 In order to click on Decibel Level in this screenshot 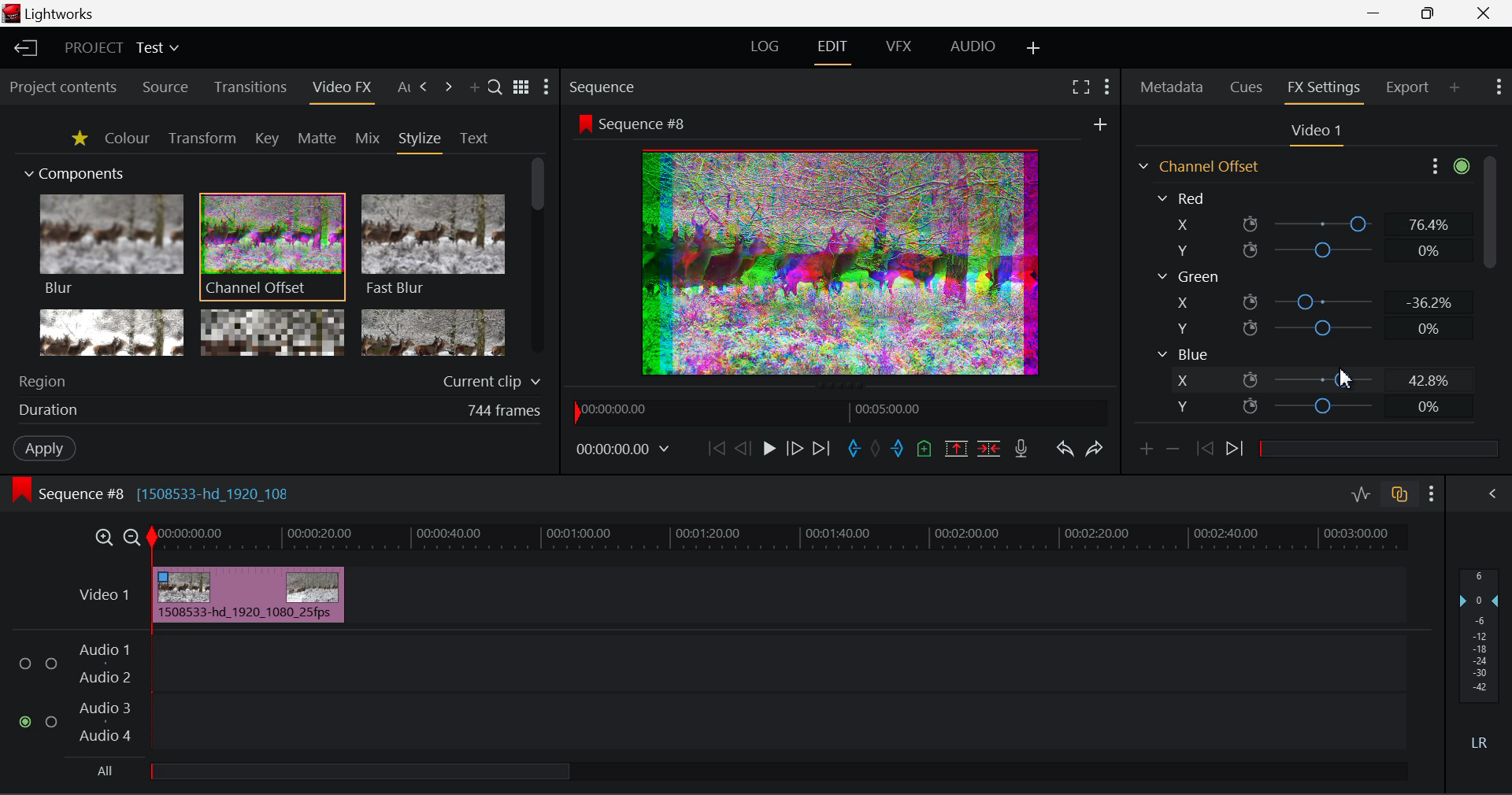, I will do `click(1480, 657)`.